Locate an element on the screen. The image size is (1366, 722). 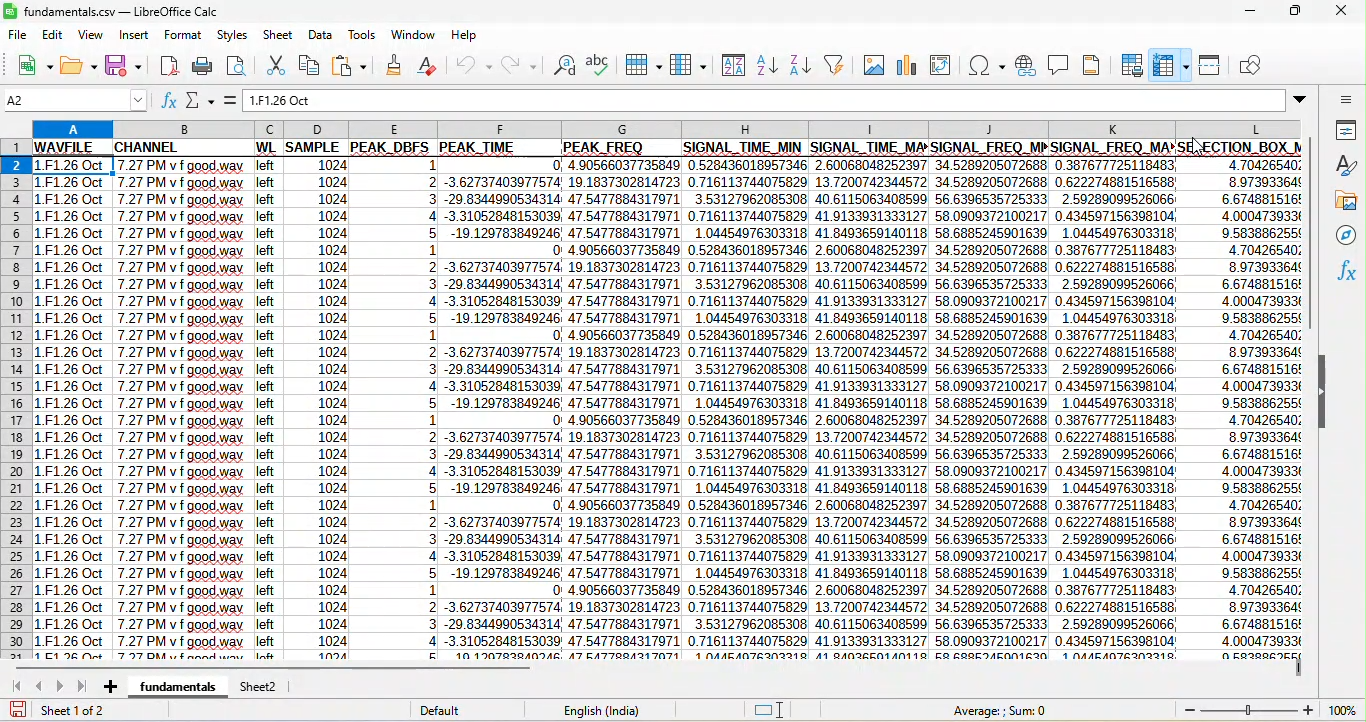
default is located at coordinates (459, 710).